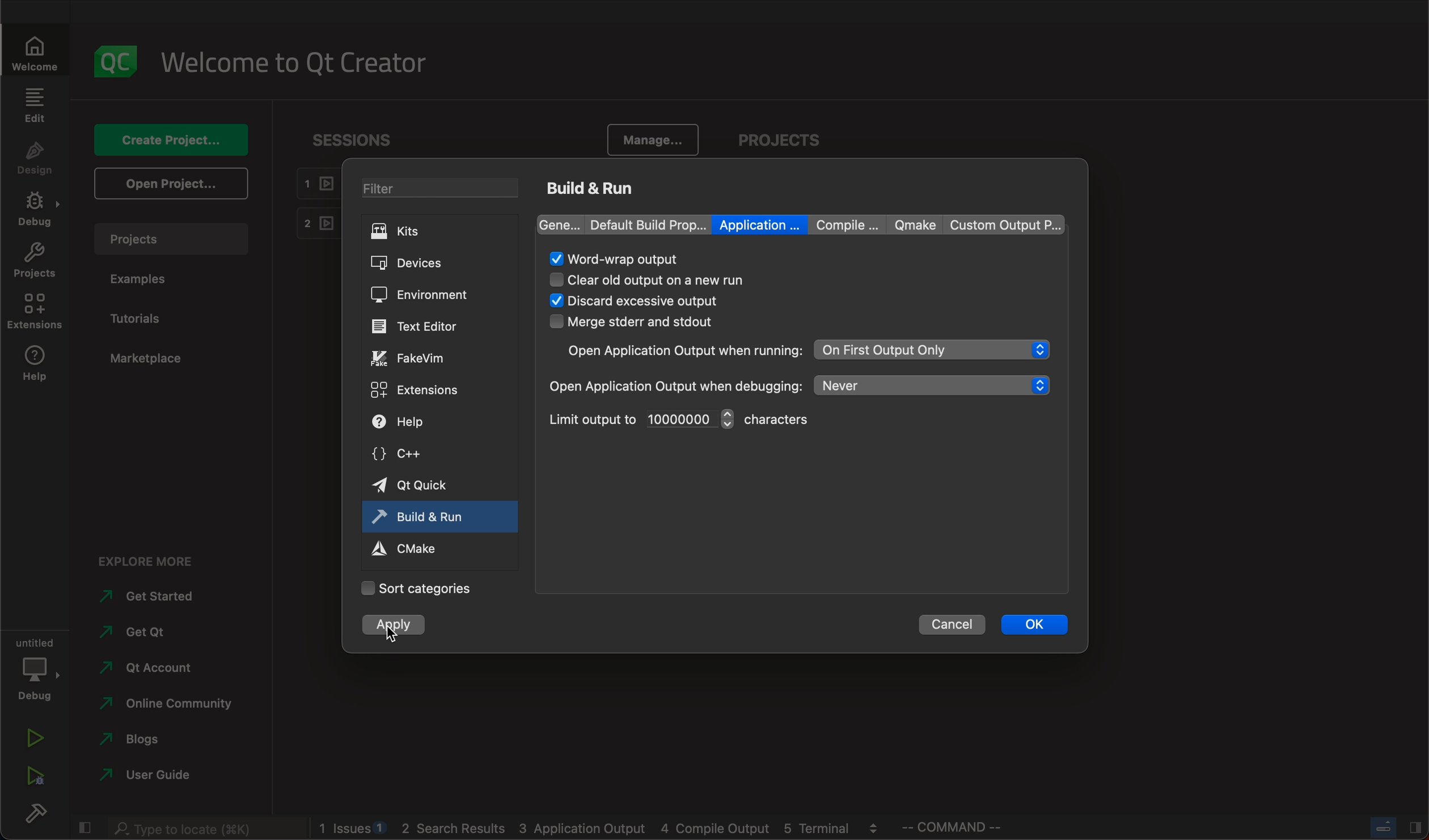 This screenshot has width=1429, height=840. I want to click on close slidebar, so click(84, 827).